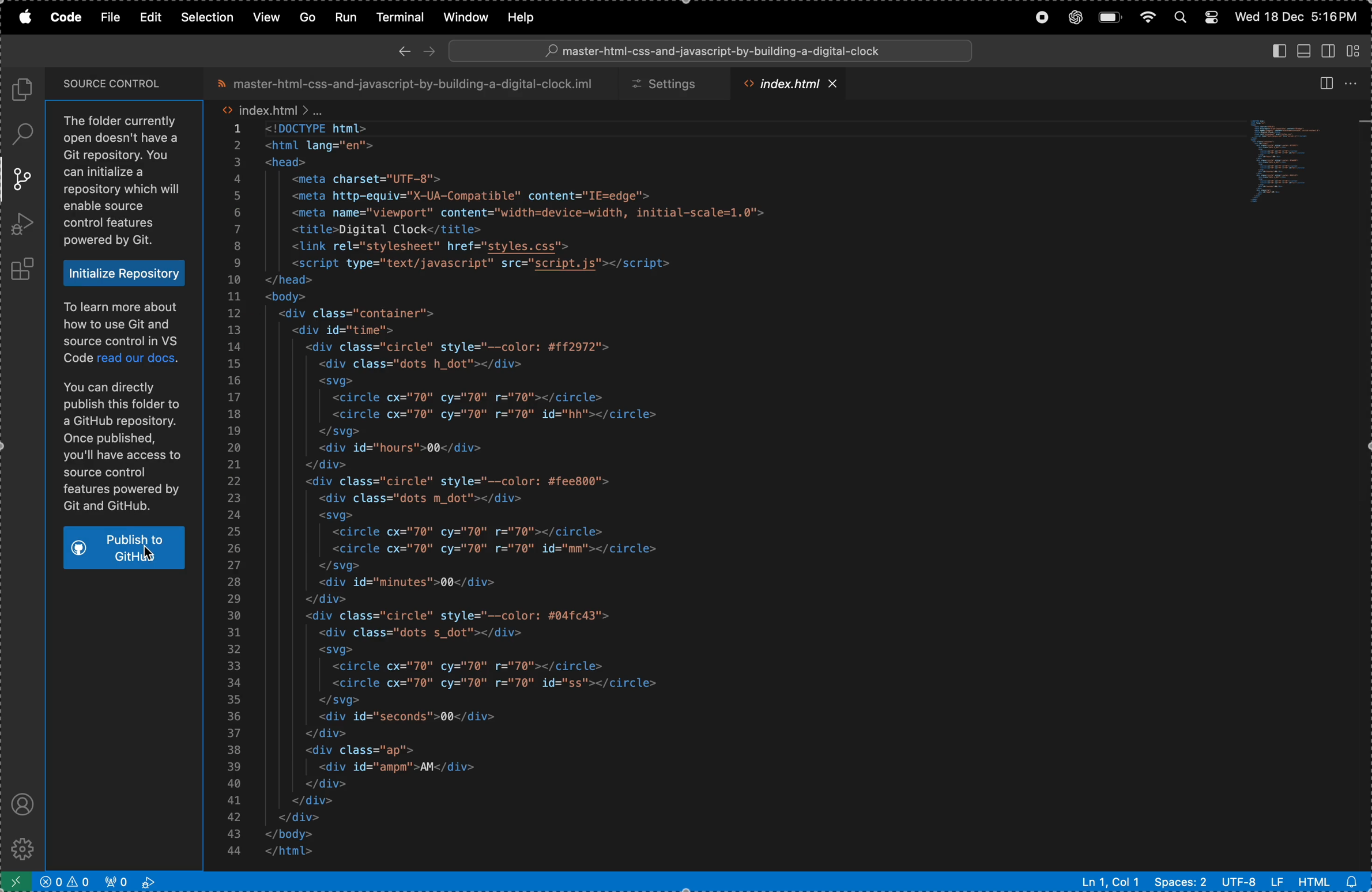 The image size is (1372, 892). What do you see at coordinates (21, 181) in the screenshot?
I see `source control` at bounding box center [21, 181].